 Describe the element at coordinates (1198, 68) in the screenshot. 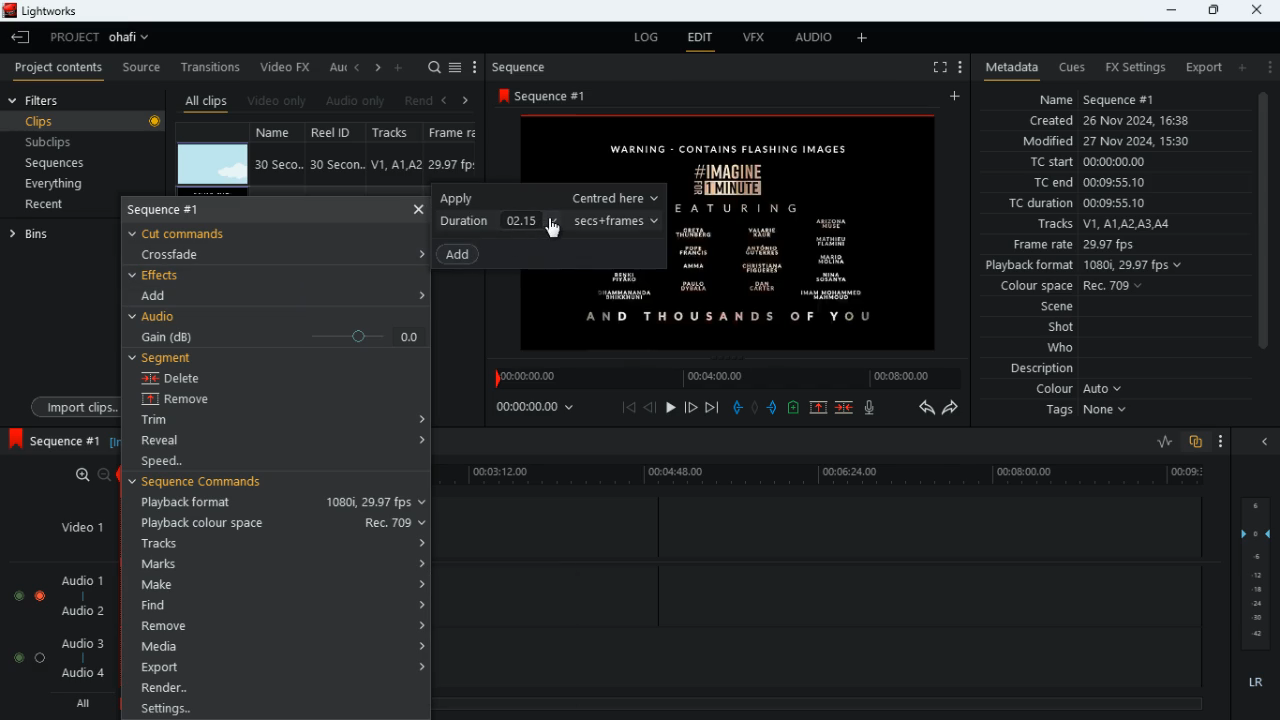

I see `export` at that location.